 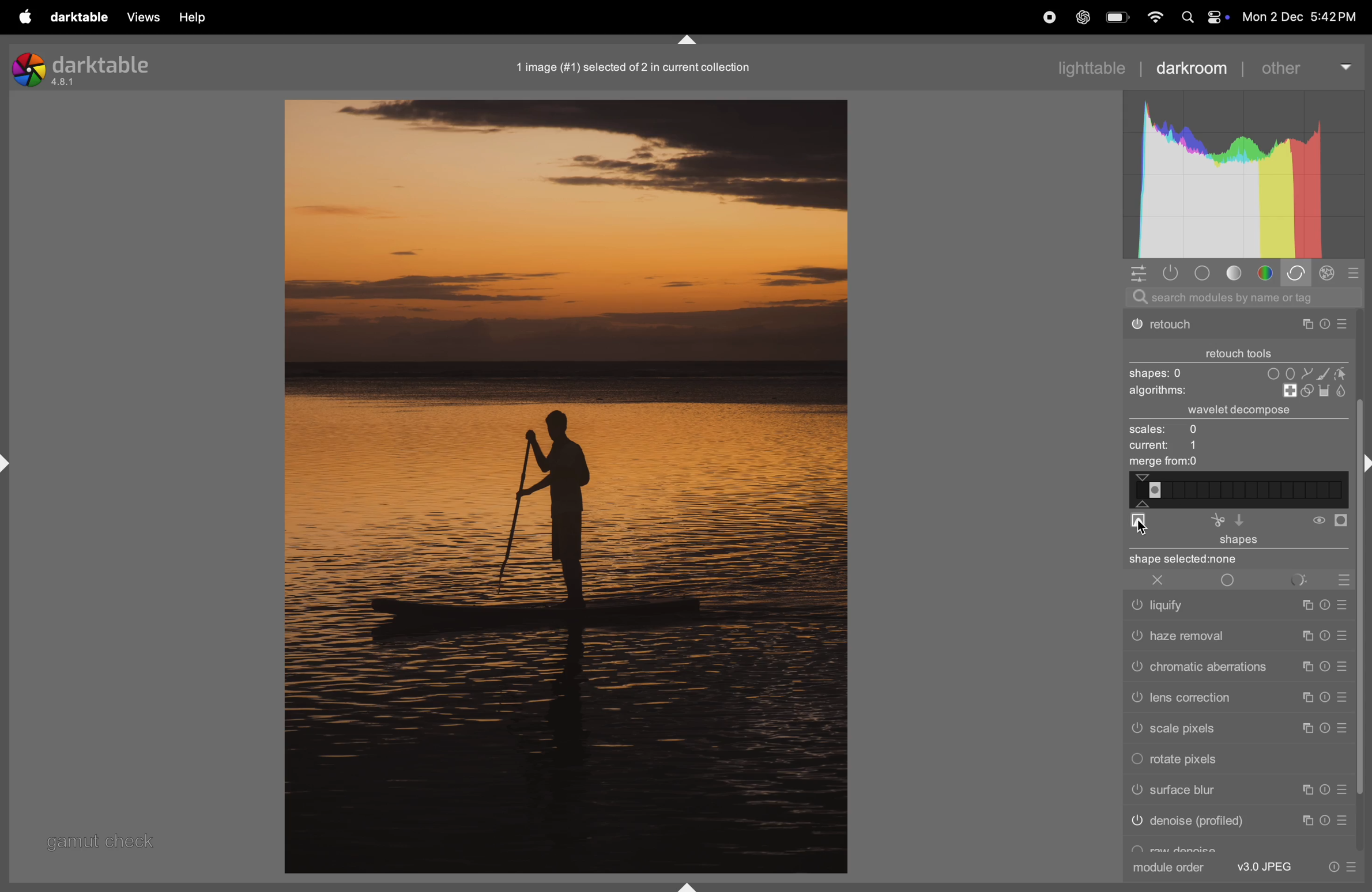 What do you see at coordinates (1084, 17) in the screenshot?
I see `chatgpt` at bounding box center [1084, 17].